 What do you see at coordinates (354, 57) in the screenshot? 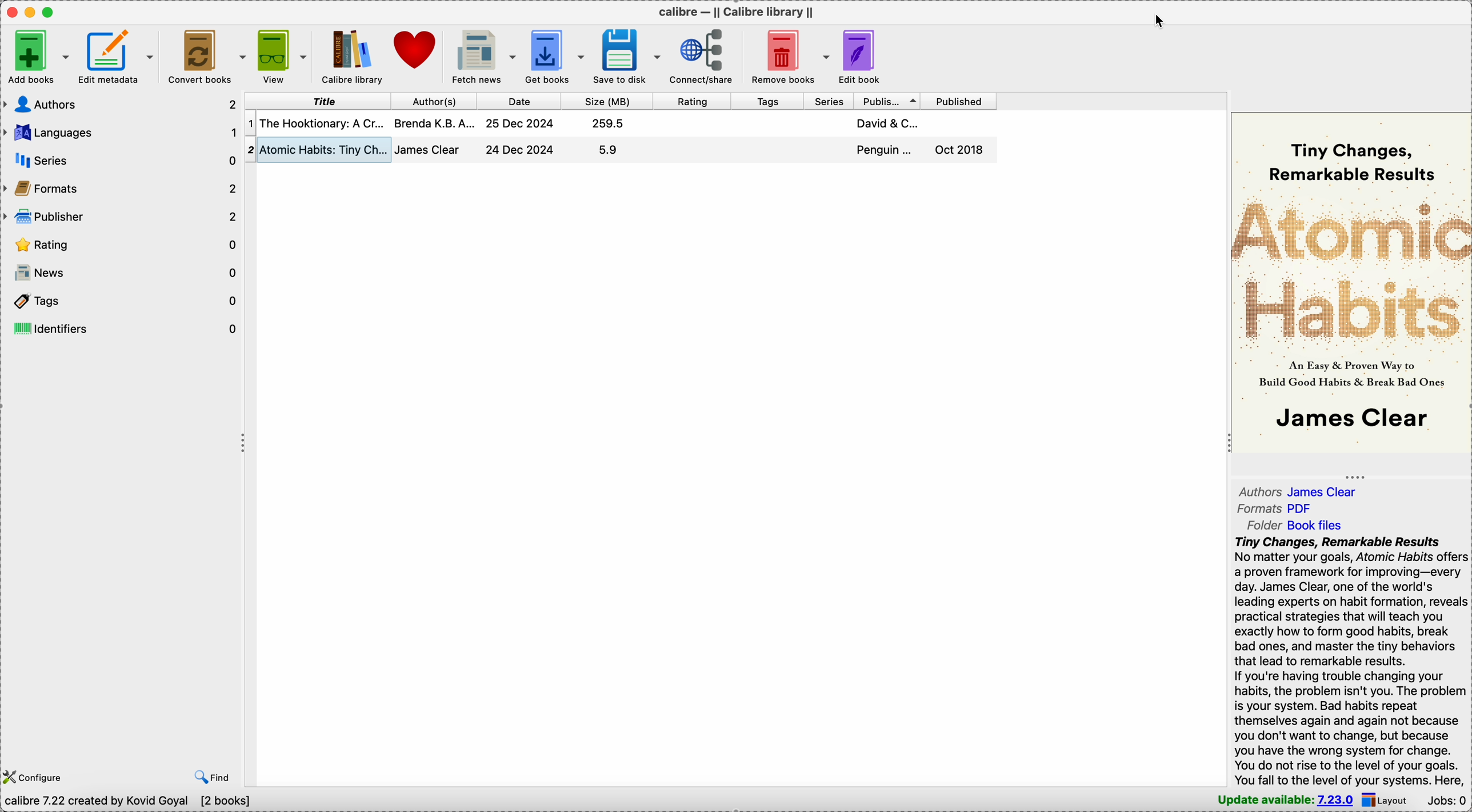
I see `Calibre library` at bounding box center [354, 57].